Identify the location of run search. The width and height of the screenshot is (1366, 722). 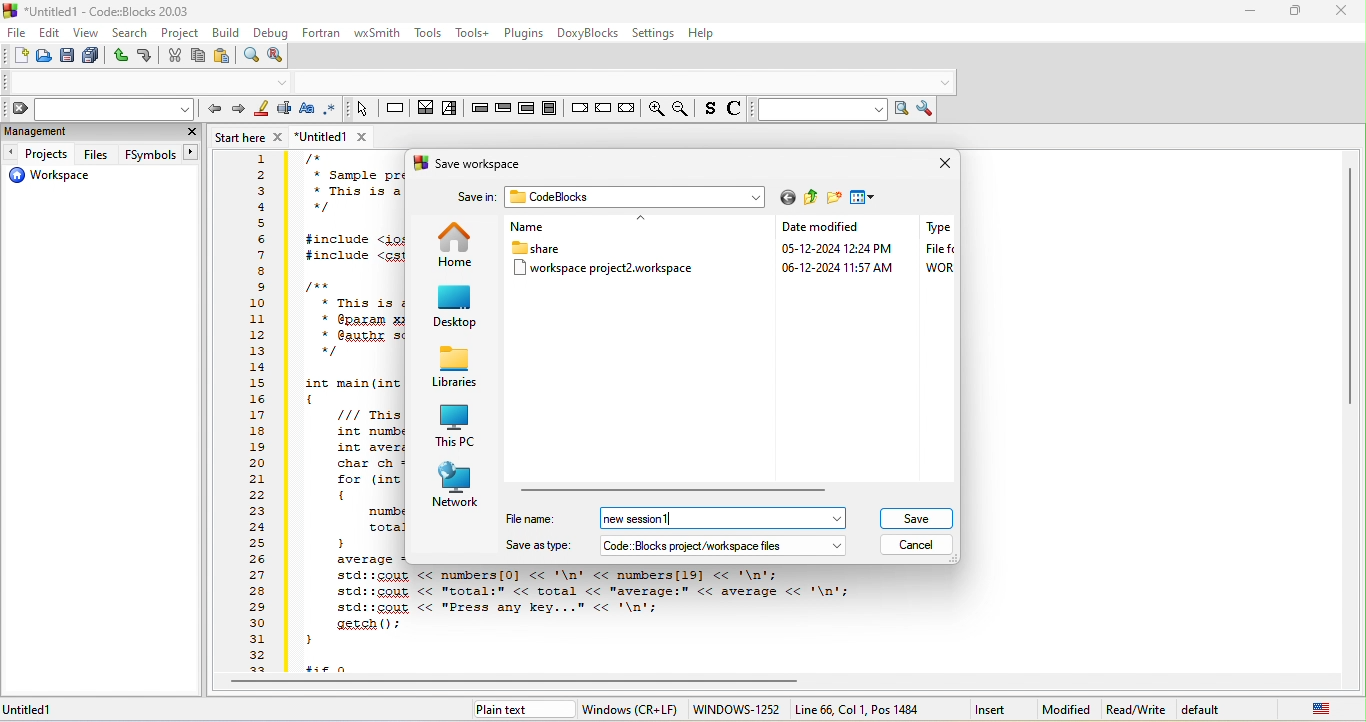
(904, 110).